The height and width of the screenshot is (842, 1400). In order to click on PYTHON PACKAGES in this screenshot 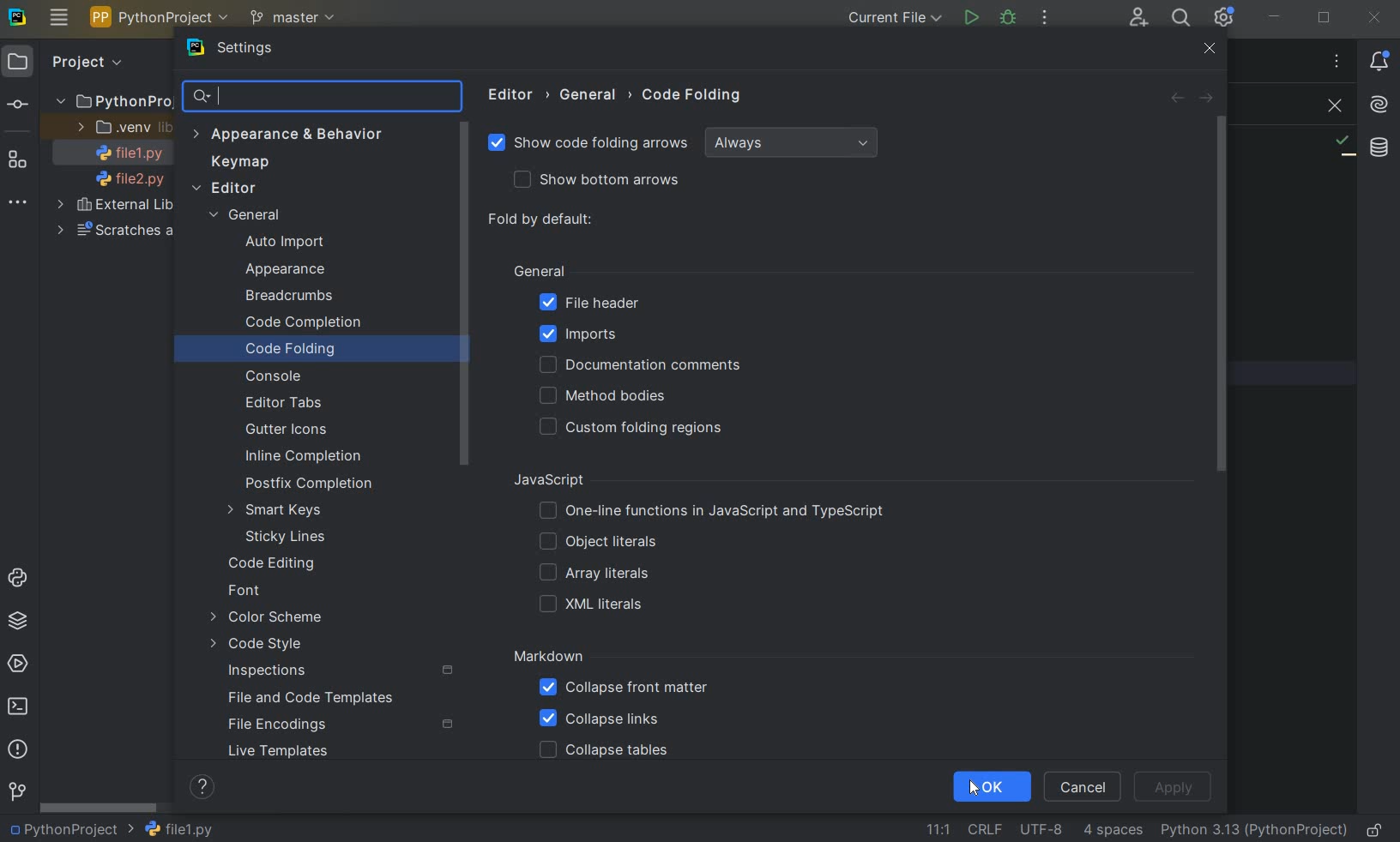, I will do `click(22, 622)`.